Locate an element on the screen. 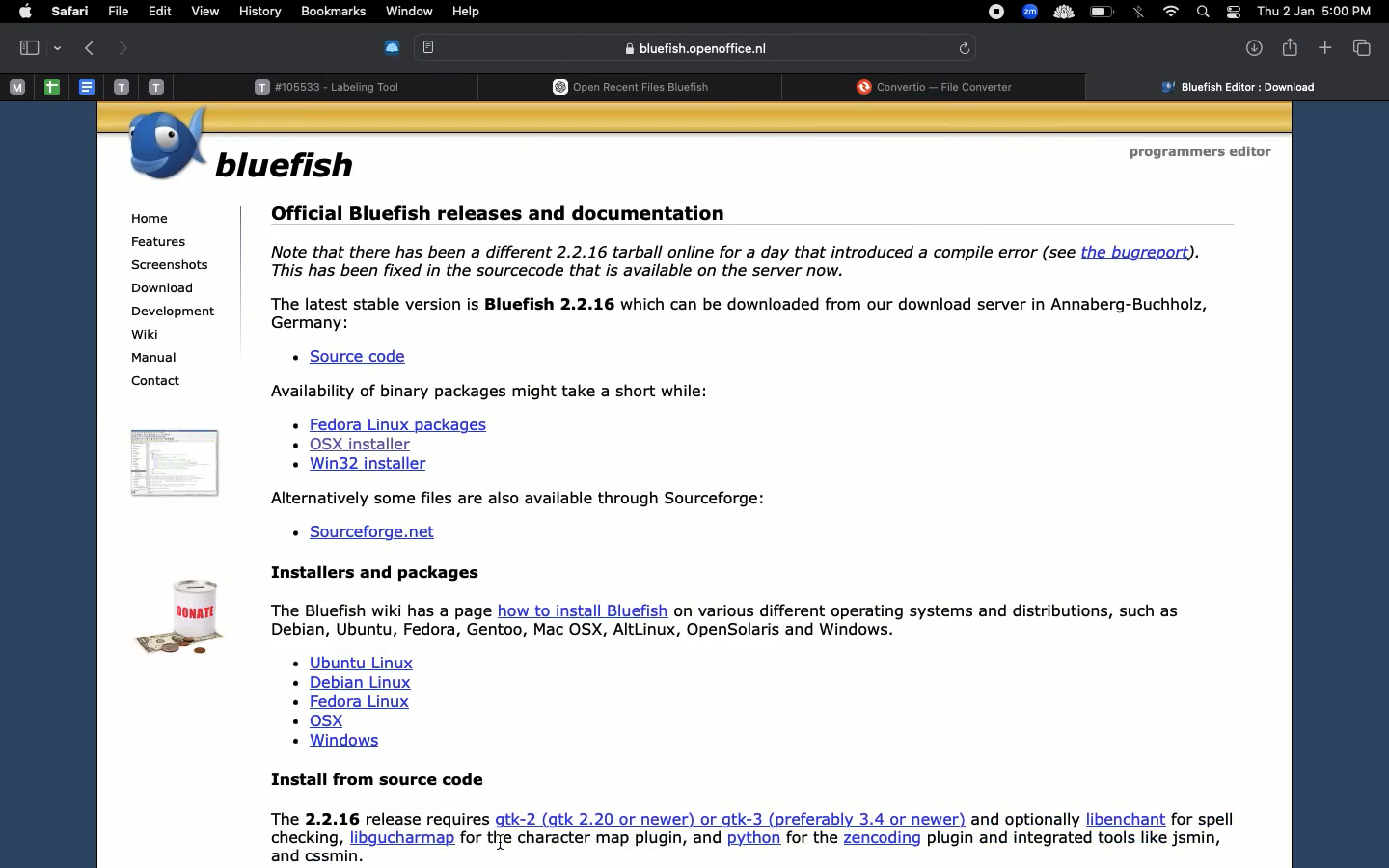  help is located at coordinates (674, 12).